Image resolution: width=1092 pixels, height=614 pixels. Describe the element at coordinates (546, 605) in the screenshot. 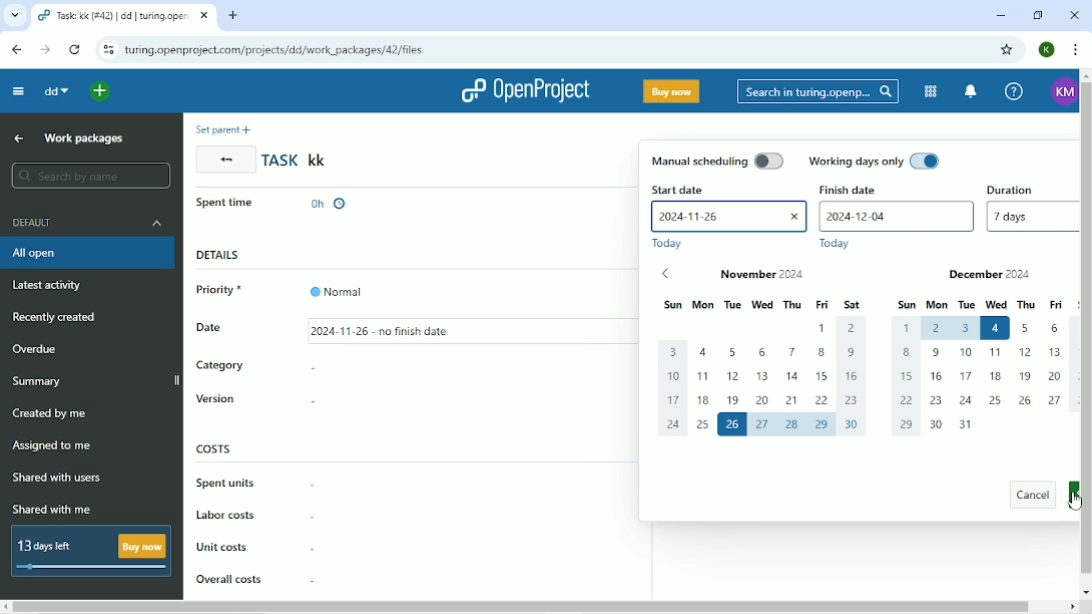

I see `Horizontal scrollbar` at that location.